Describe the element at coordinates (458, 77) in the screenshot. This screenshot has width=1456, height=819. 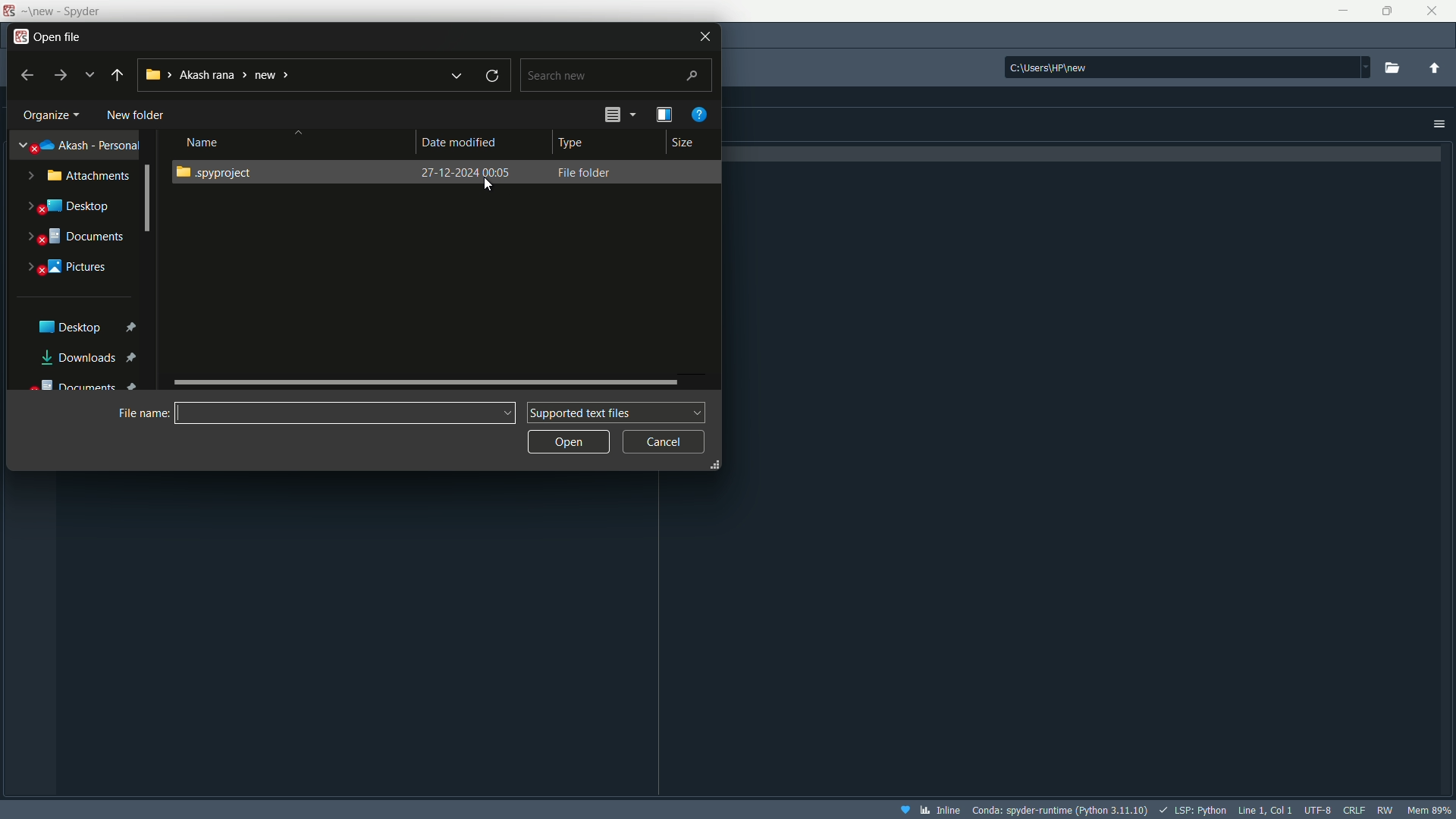
I see `recent locations` at that location.